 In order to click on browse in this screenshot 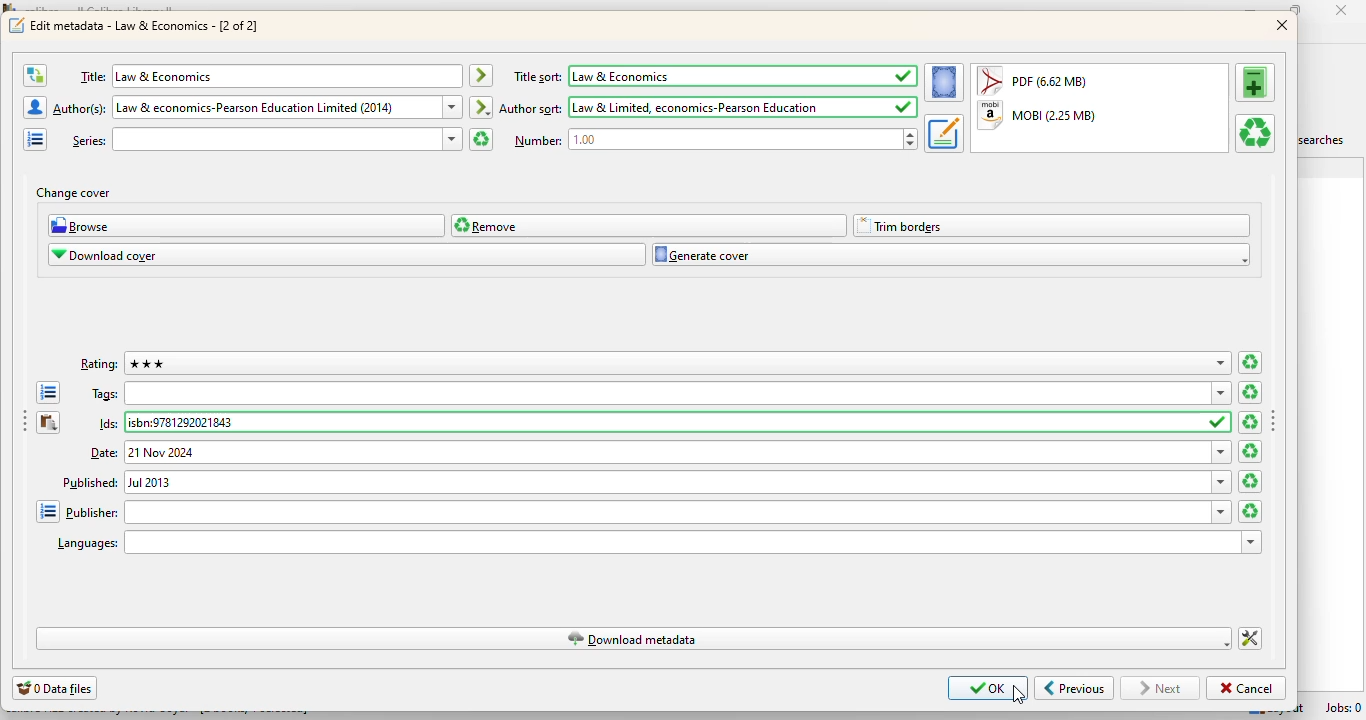, I will do `click(247, 226)`.